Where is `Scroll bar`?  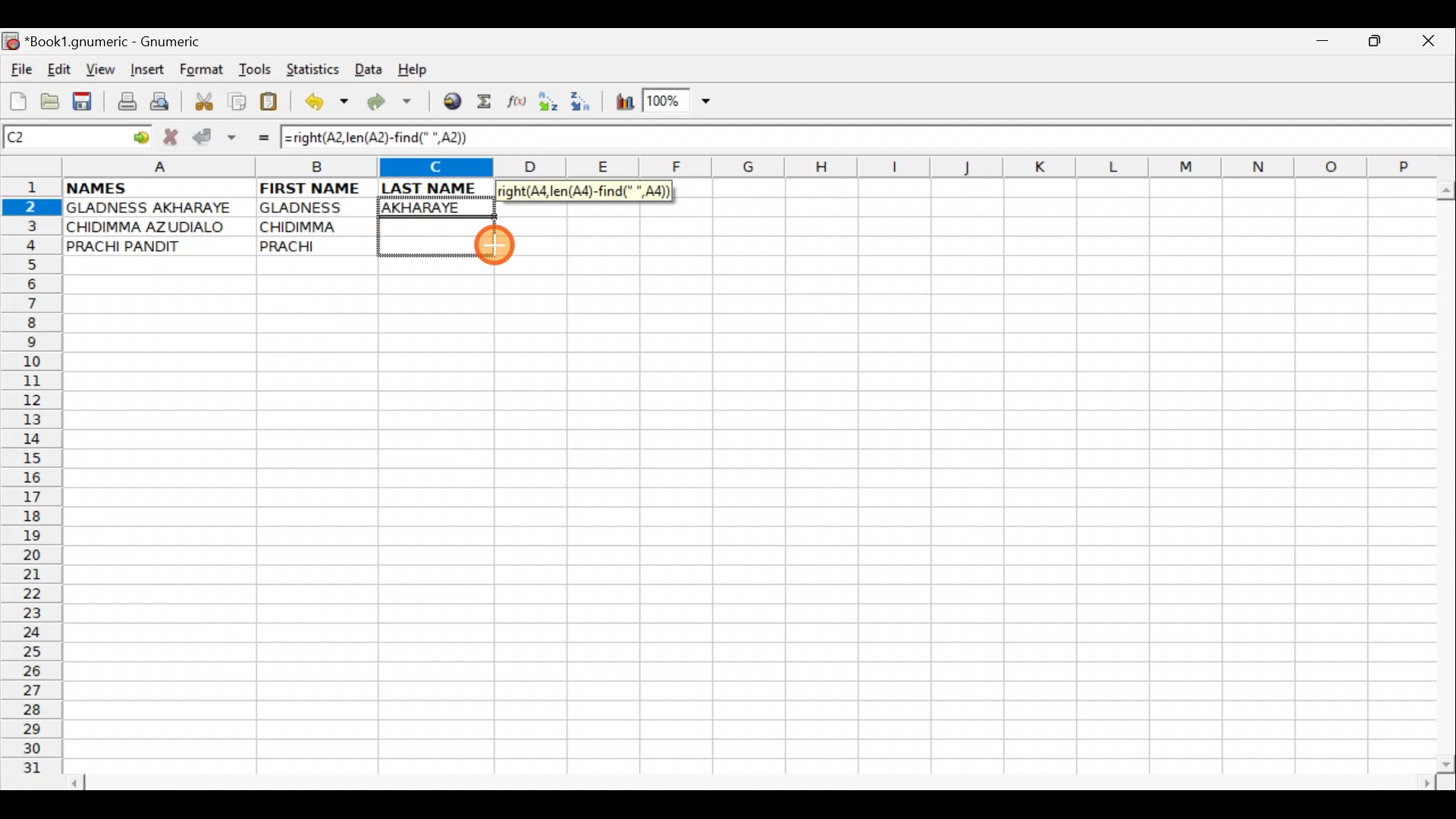 Scroll bar is located at coordinates (1442, 473).